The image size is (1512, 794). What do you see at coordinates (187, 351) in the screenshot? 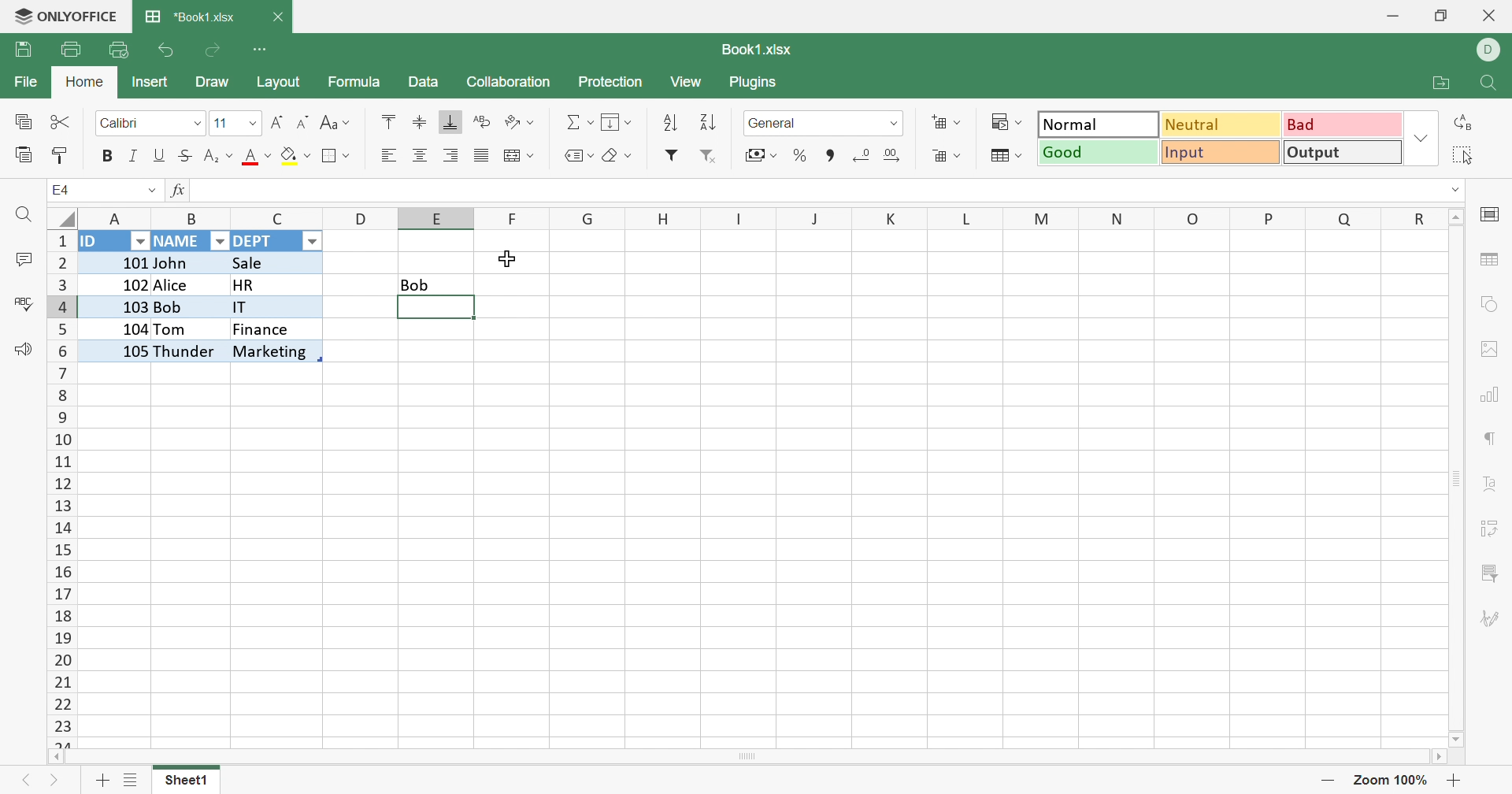
I see `Thunder` at bounding box center [187, 351].